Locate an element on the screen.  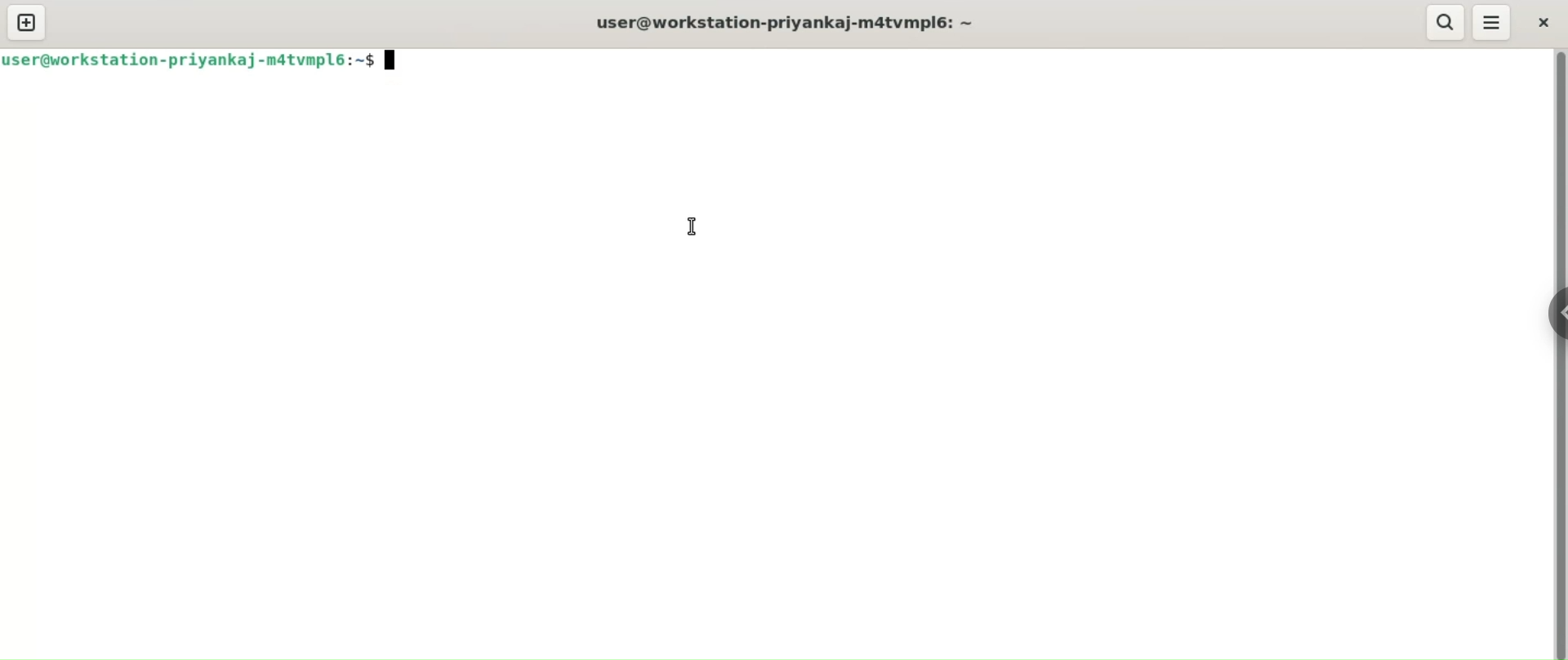
search is located at coordinates (1448, 21).